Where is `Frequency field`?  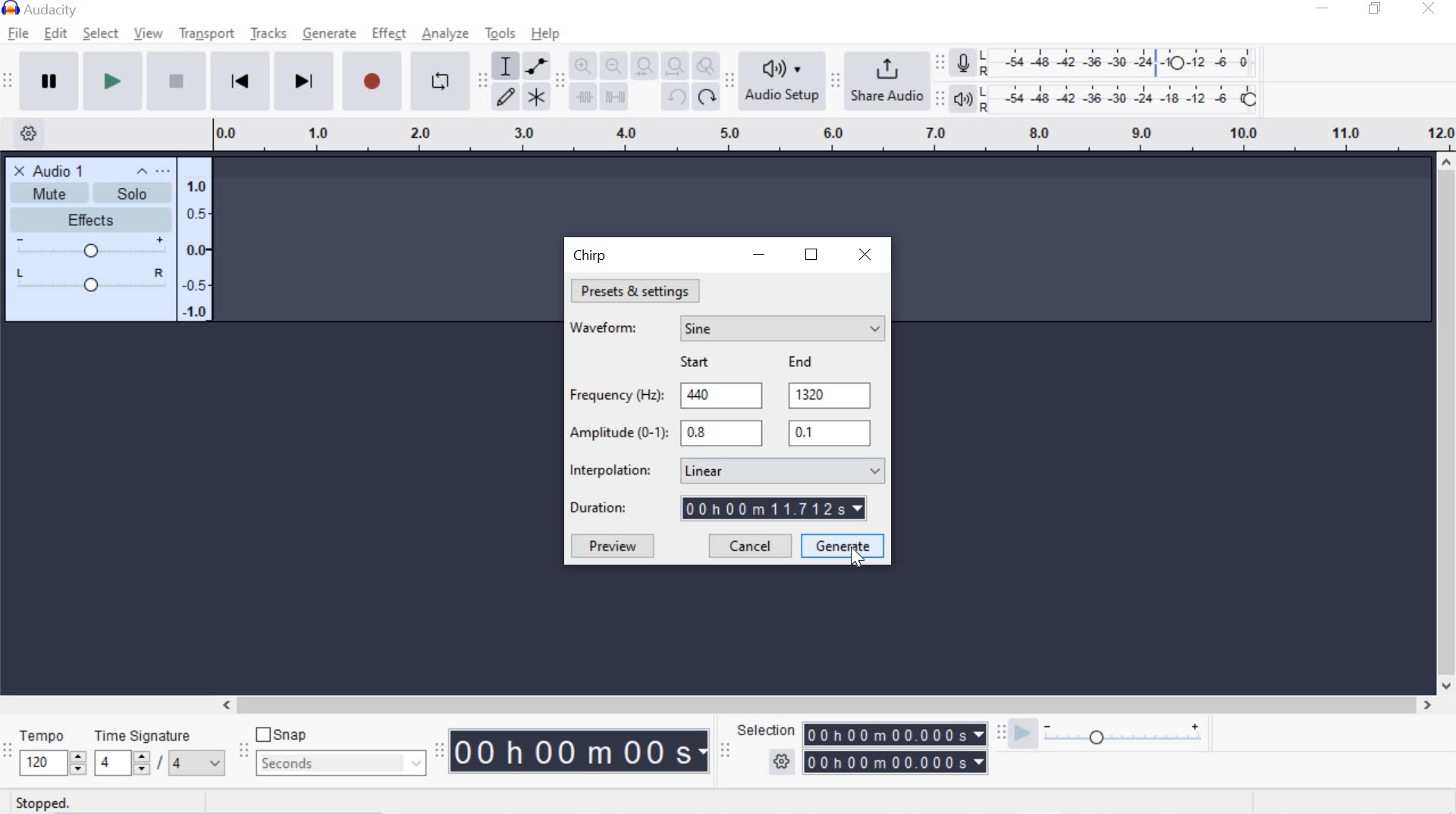
Frequency field is located at coordinates (725, 396).